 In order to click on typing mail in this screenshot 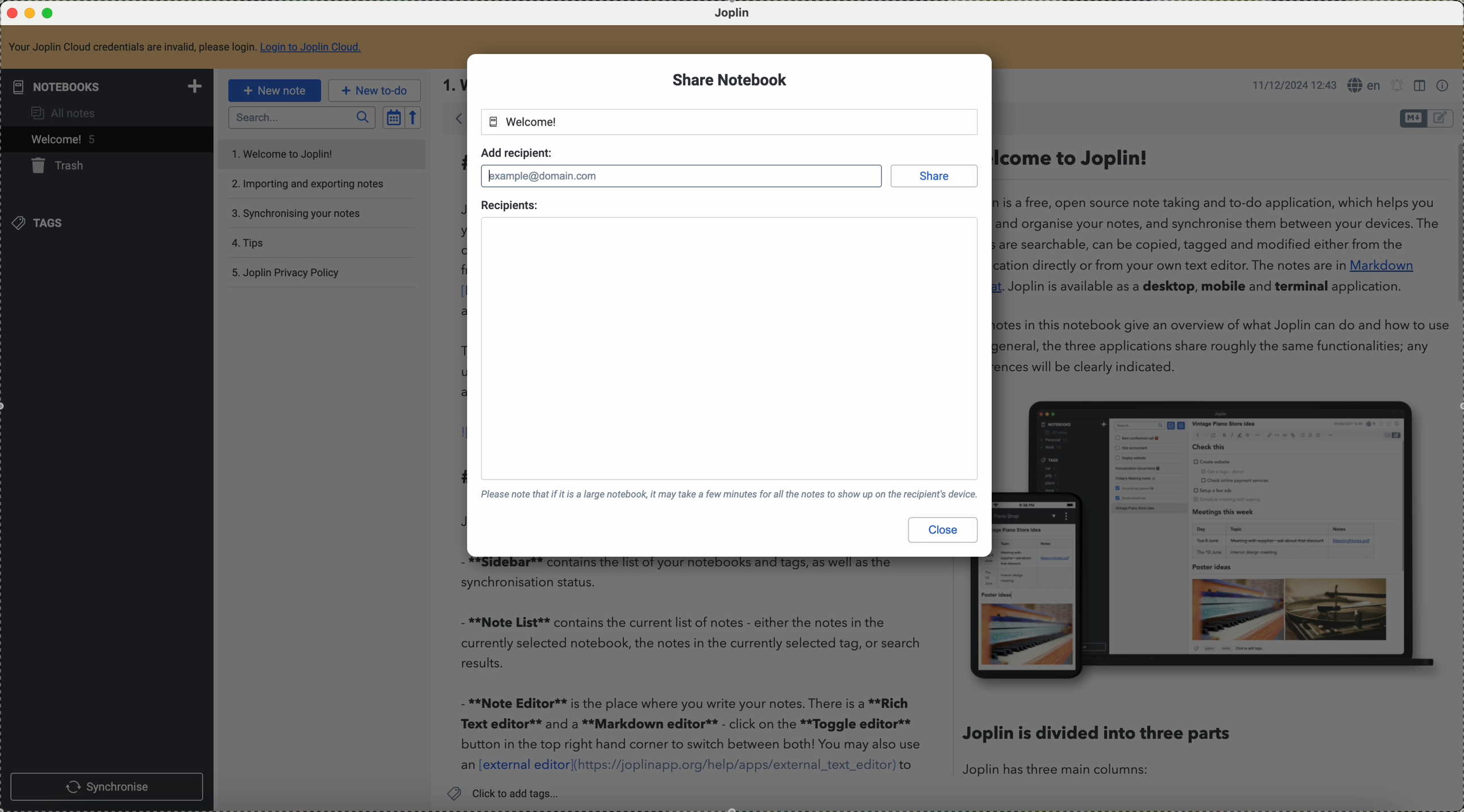, I will do `click(683, 174)`.